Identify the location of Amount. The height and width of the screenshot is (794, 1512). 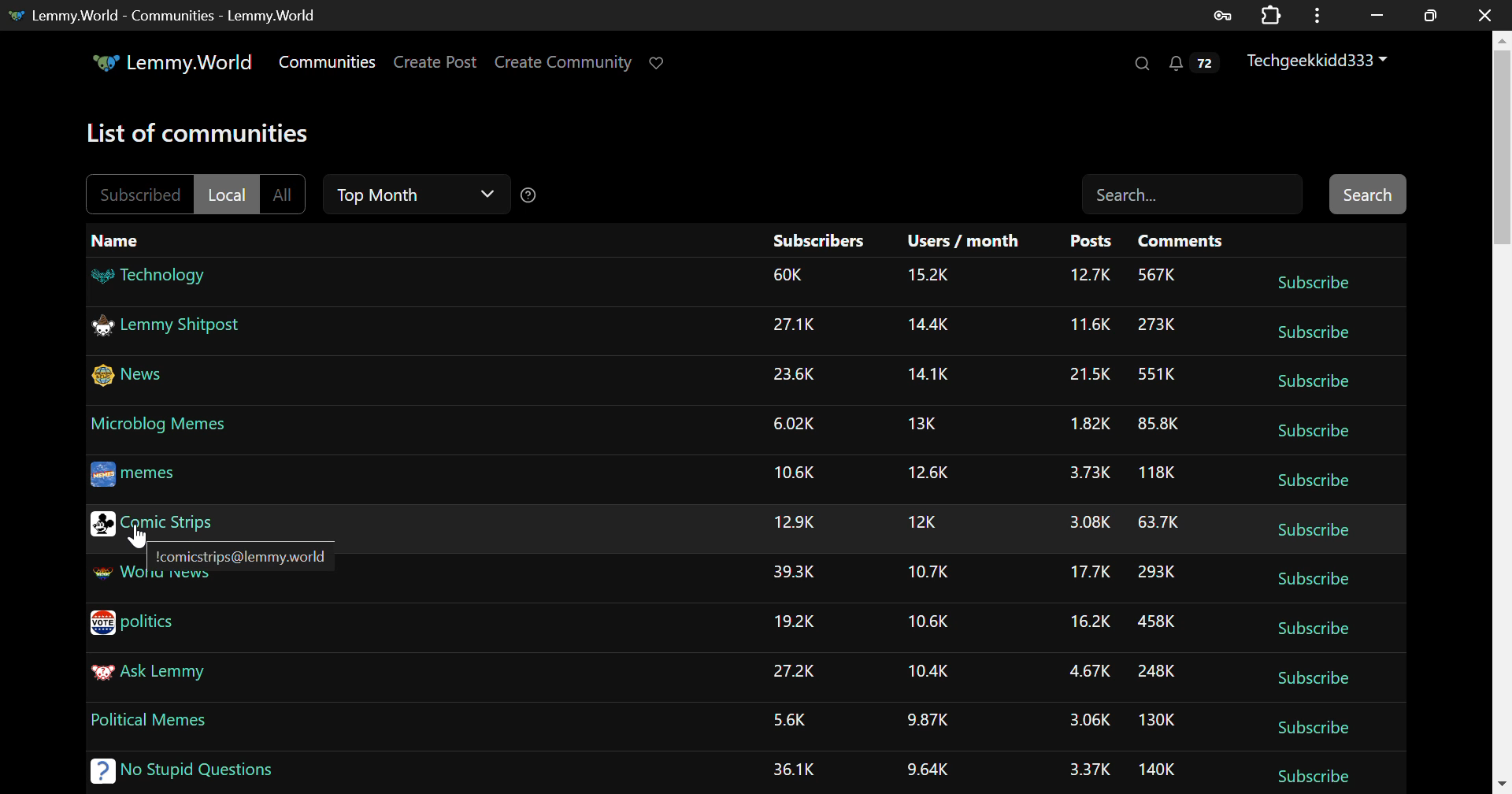
(799, 473).